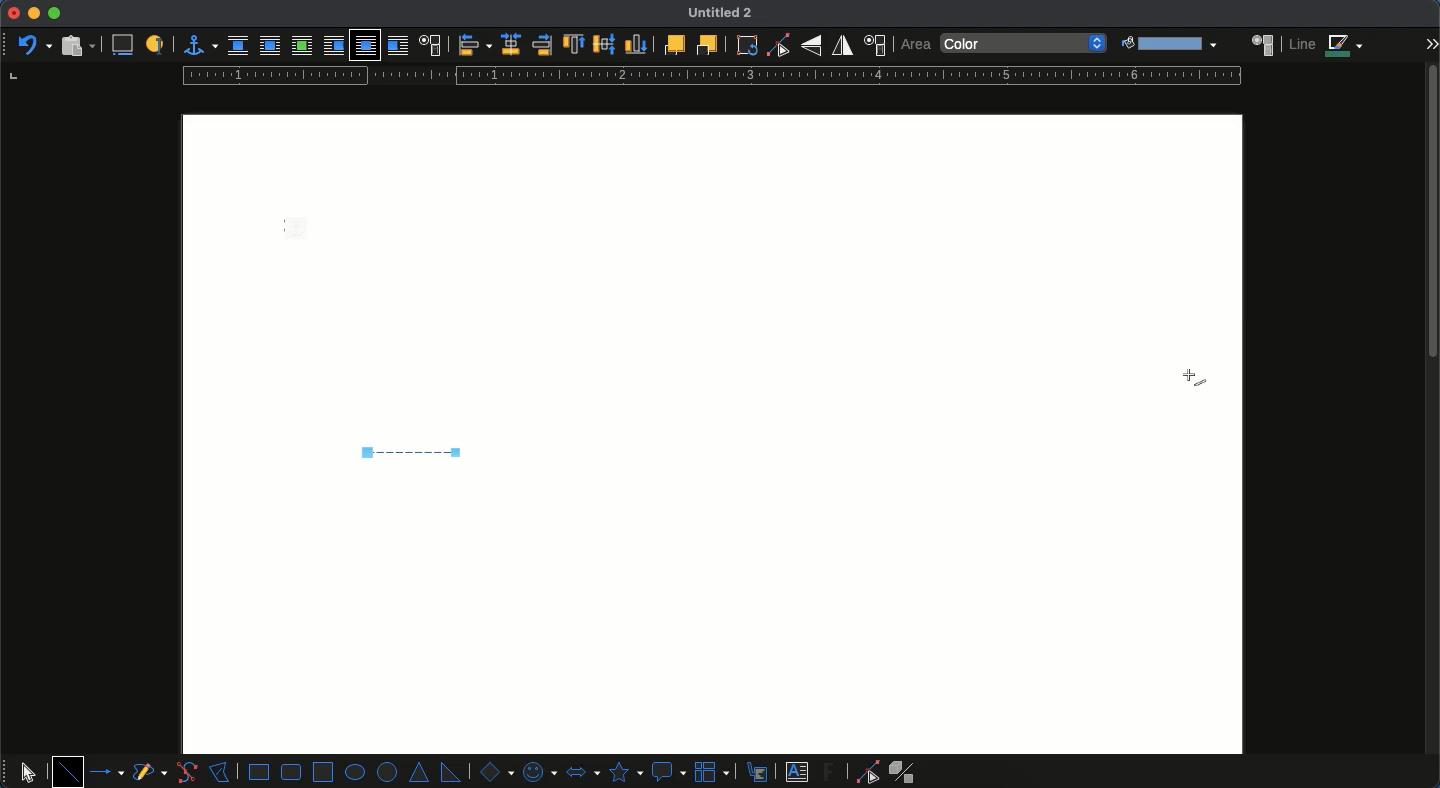 The image size is (1440, 788). Describe the element at coordinates (542, 45) in the screenshot. I see `right` at that location.